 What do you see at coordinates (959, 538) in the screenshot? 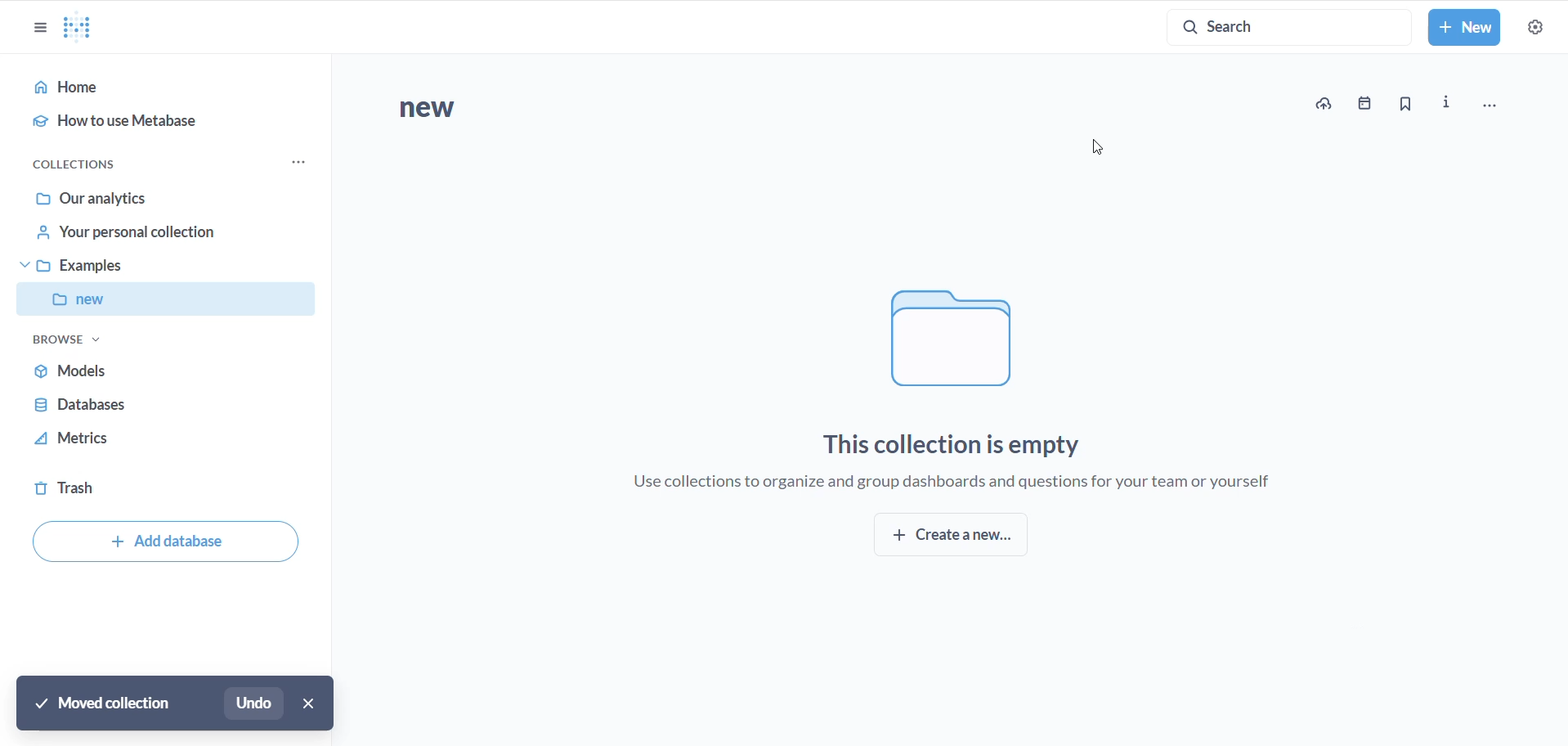
I see `create new` at bounding box center [959, 538].